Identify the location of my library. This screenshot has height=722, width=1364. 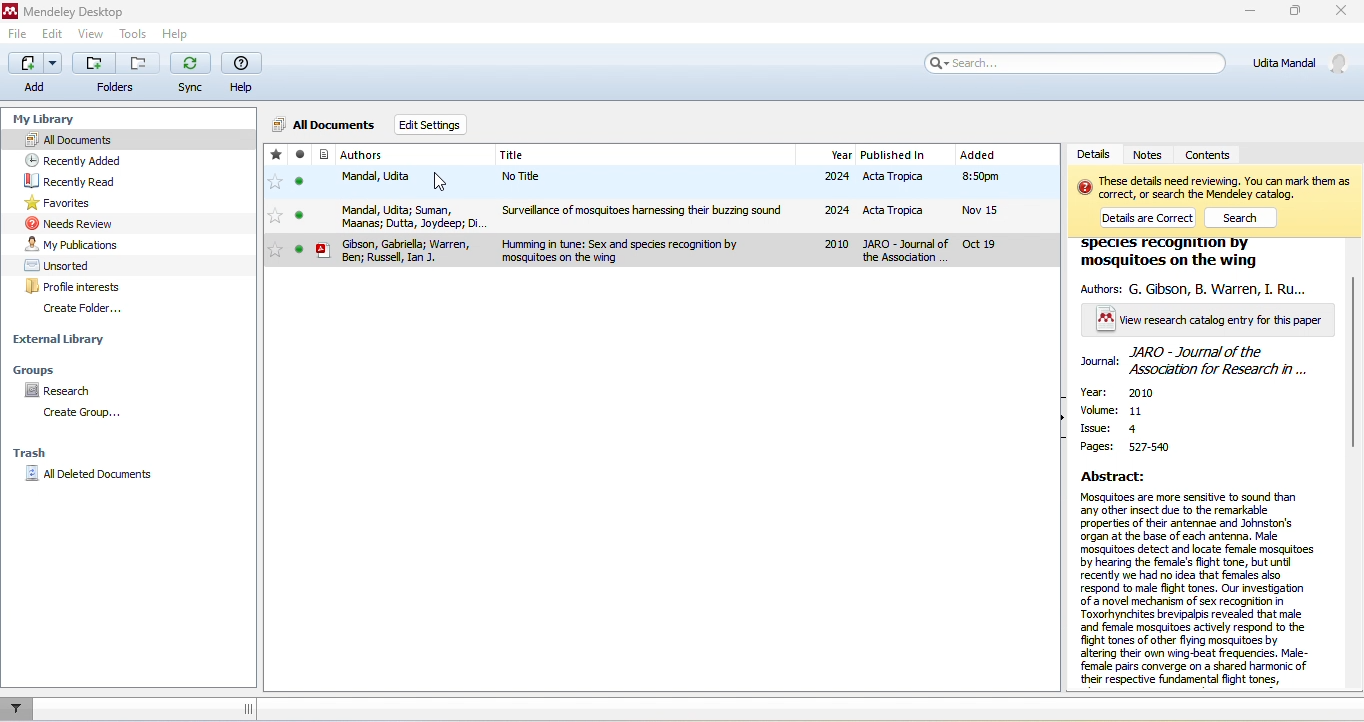
(52, 120).